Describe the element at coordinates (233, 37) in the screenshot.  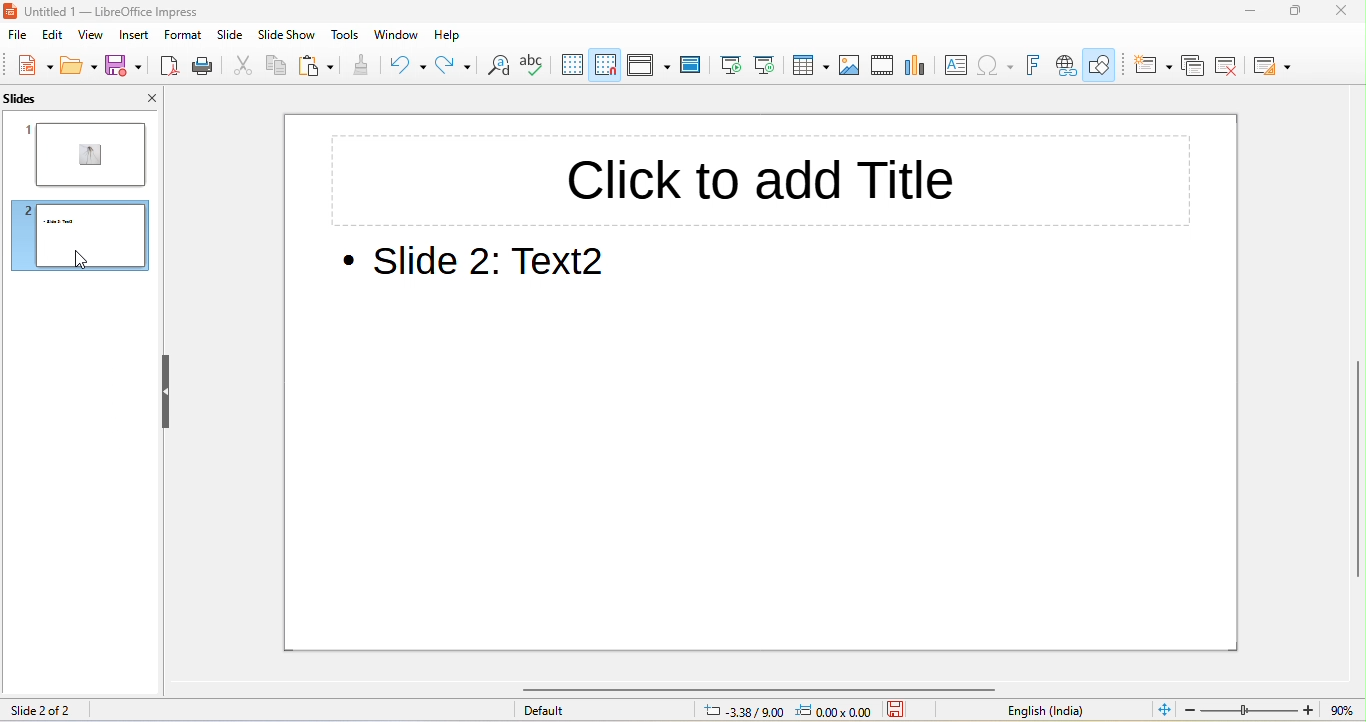
I see `slide` at that location.